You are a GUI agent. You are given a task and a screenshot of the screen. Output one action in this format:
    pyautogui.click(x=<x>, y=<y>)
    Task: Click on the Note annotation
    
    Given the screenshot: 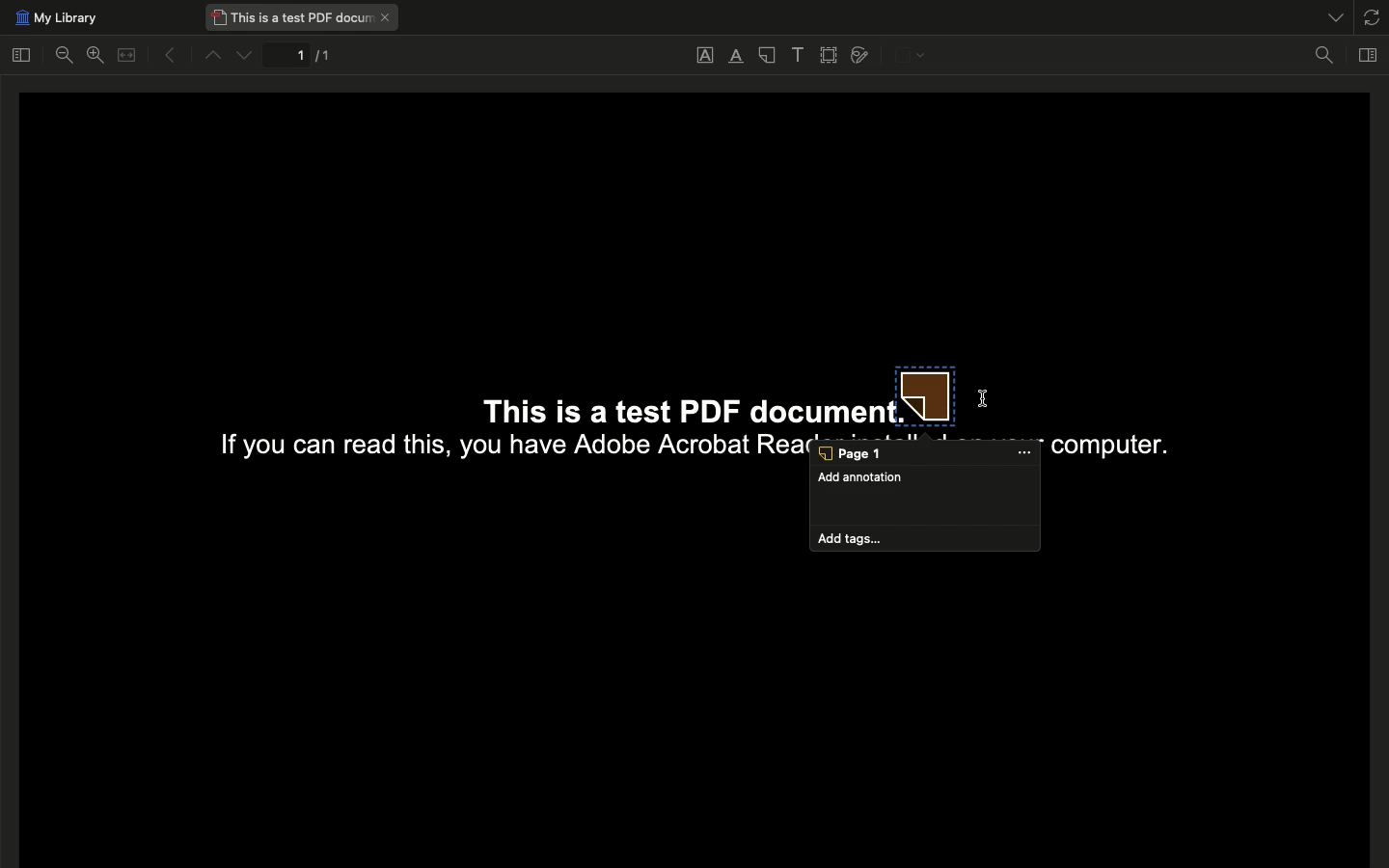 What is the action you would take?
    pyautogui.click(x=766, y=58)
    